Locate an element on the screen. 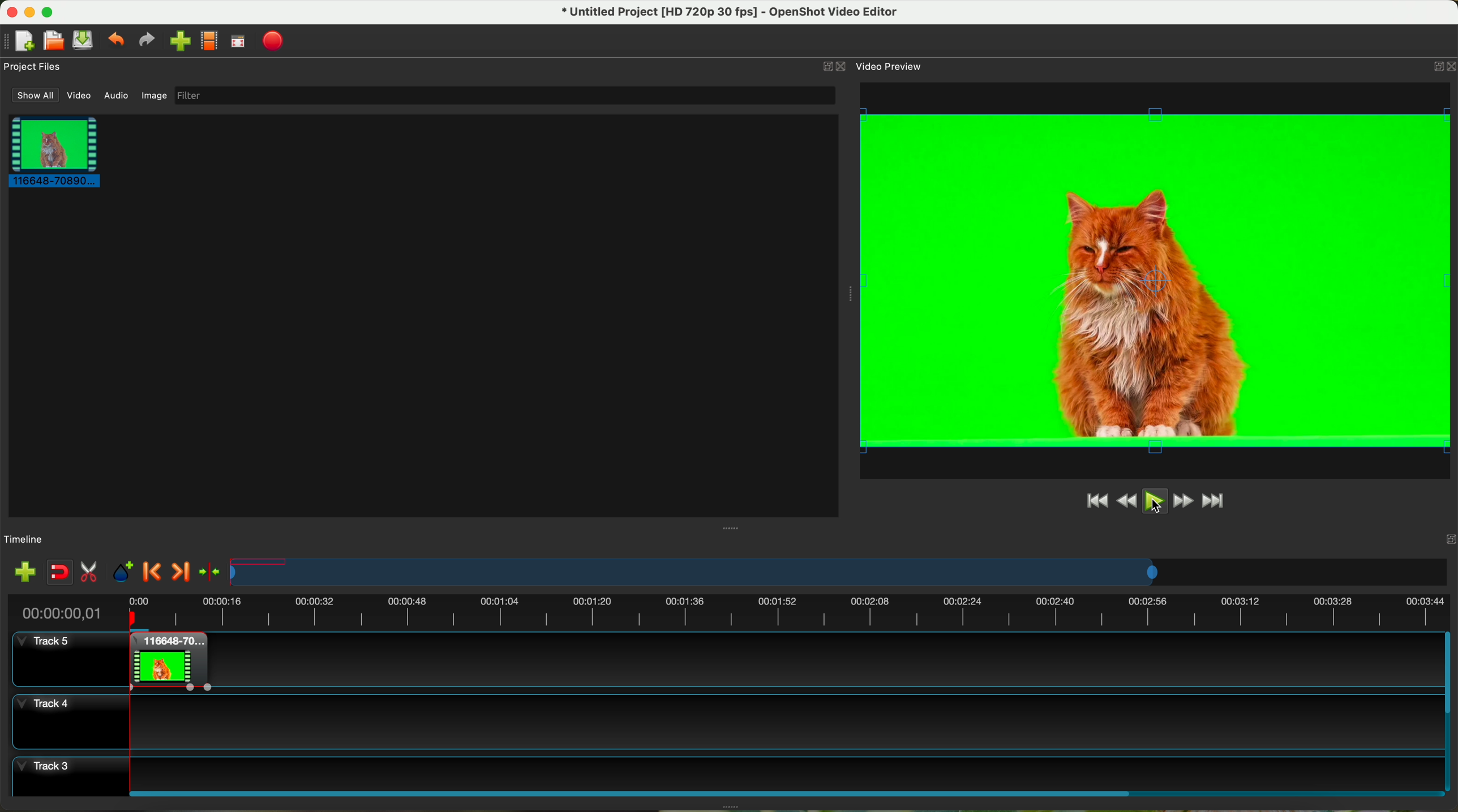 This screenshot has width=1458, height=812. video is located at coordinates (80, 96).